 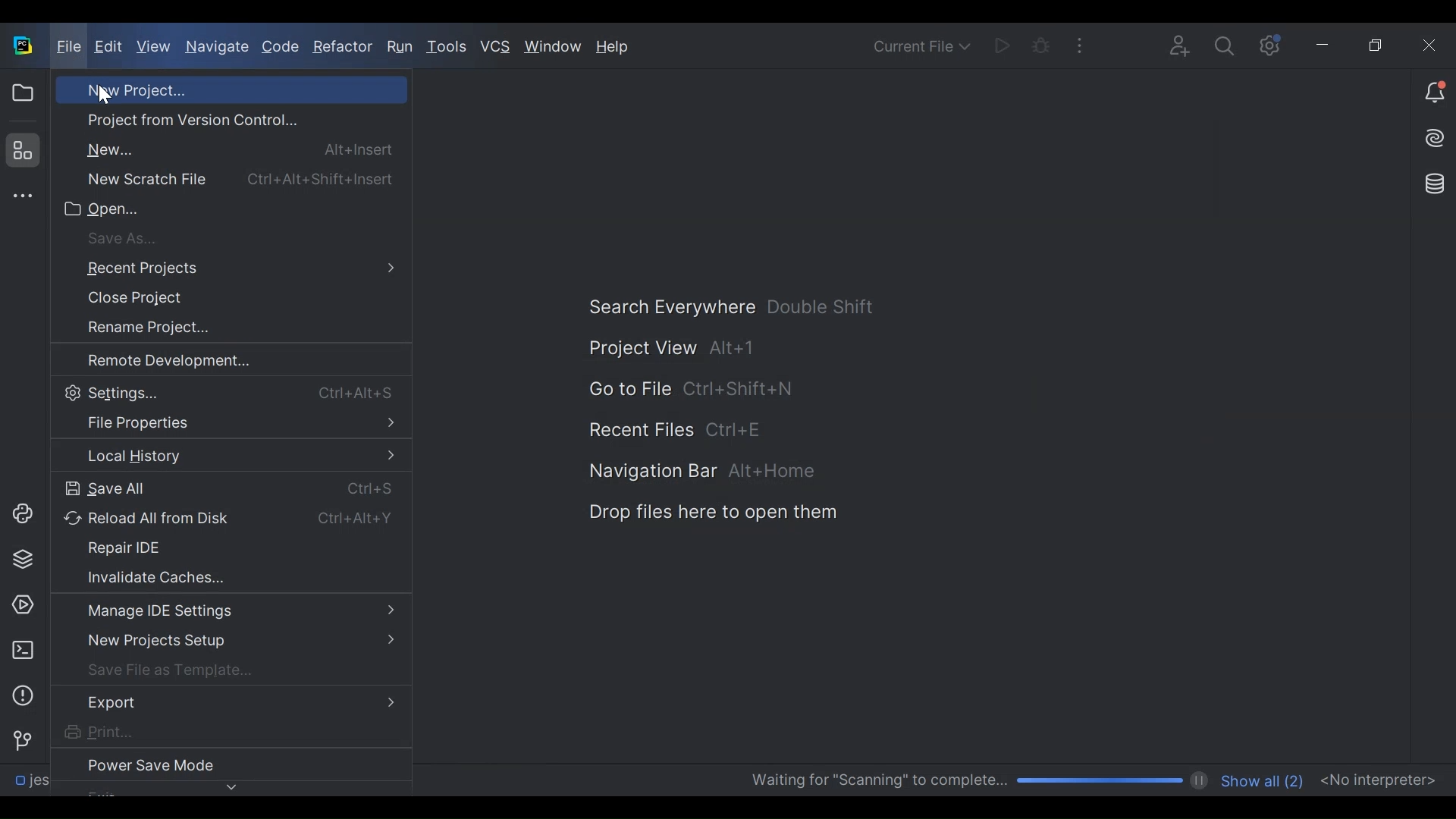 I want to click on PyCharm Desktop Icon, so click(x=24, y=47).